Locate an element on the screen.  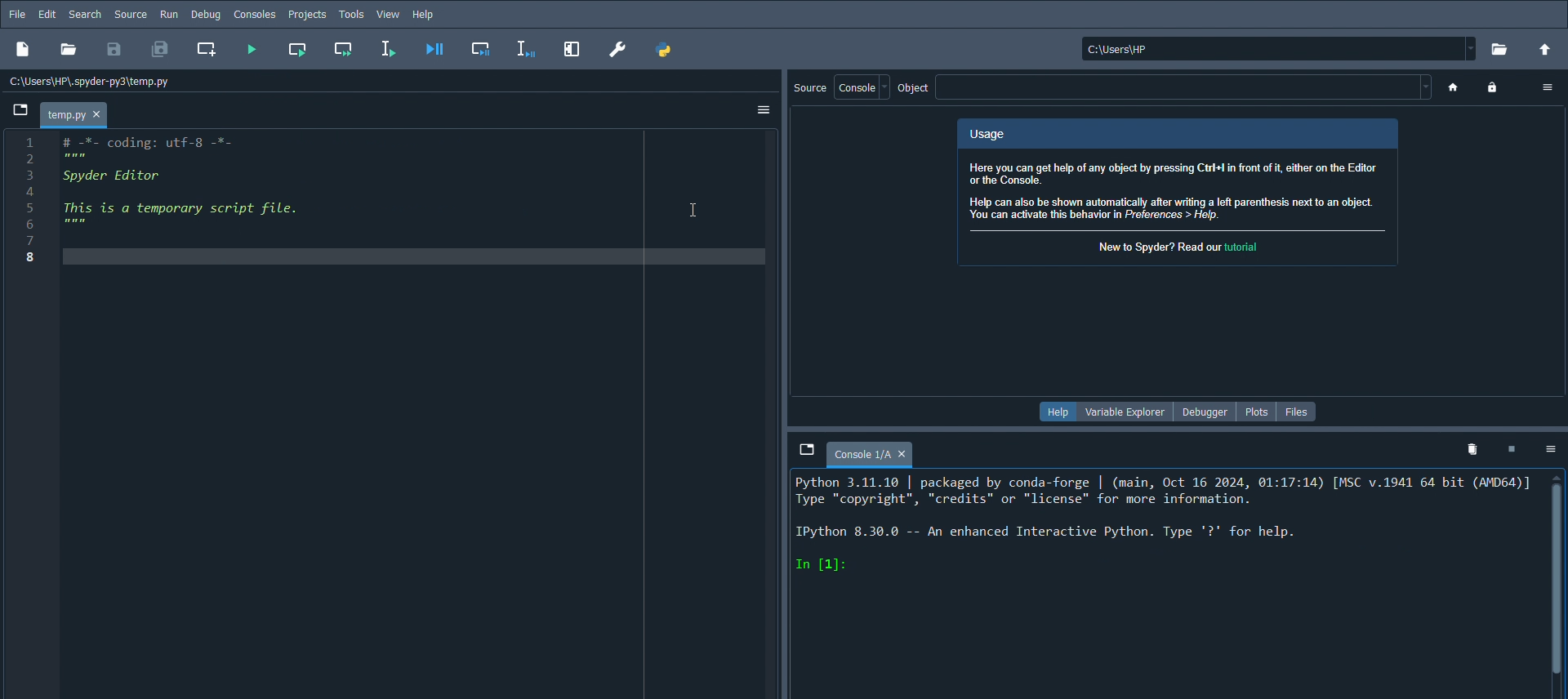
File location is located at coordinates (1276, 48).